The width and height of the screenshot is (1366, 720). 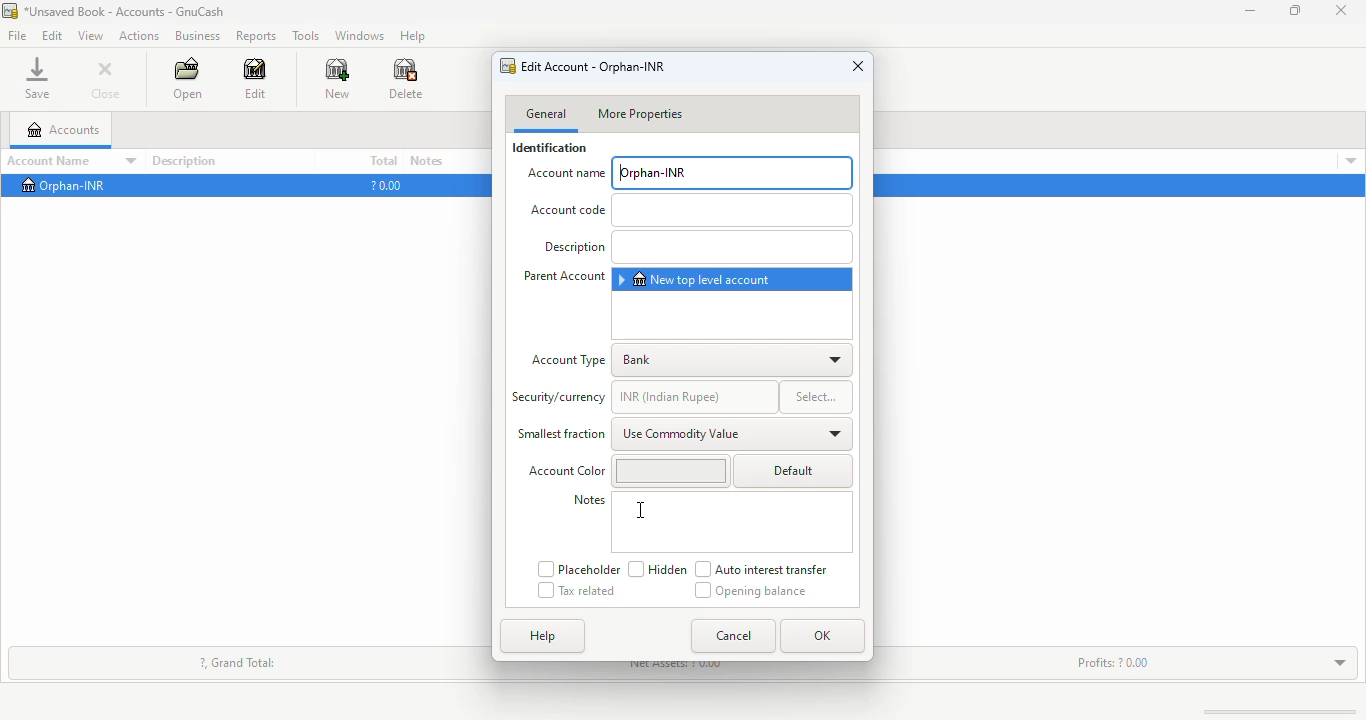 I want to click on close, so click(x=1341, y=10).